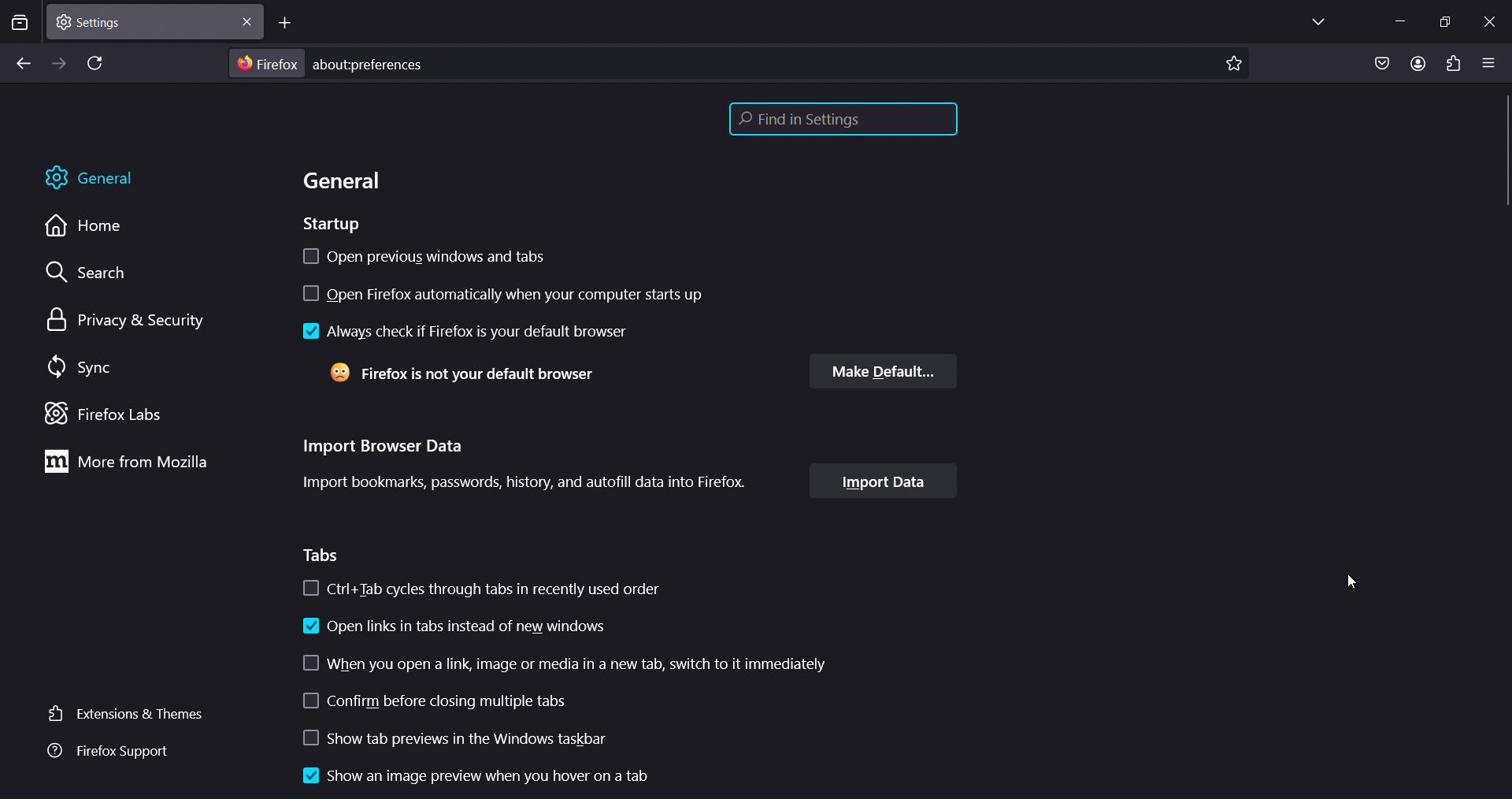 This screenshot has height=799, width=1512. Describe the element at coordinates (461, 626) in the screenshot. I see `open links instead of new windows` at that location.